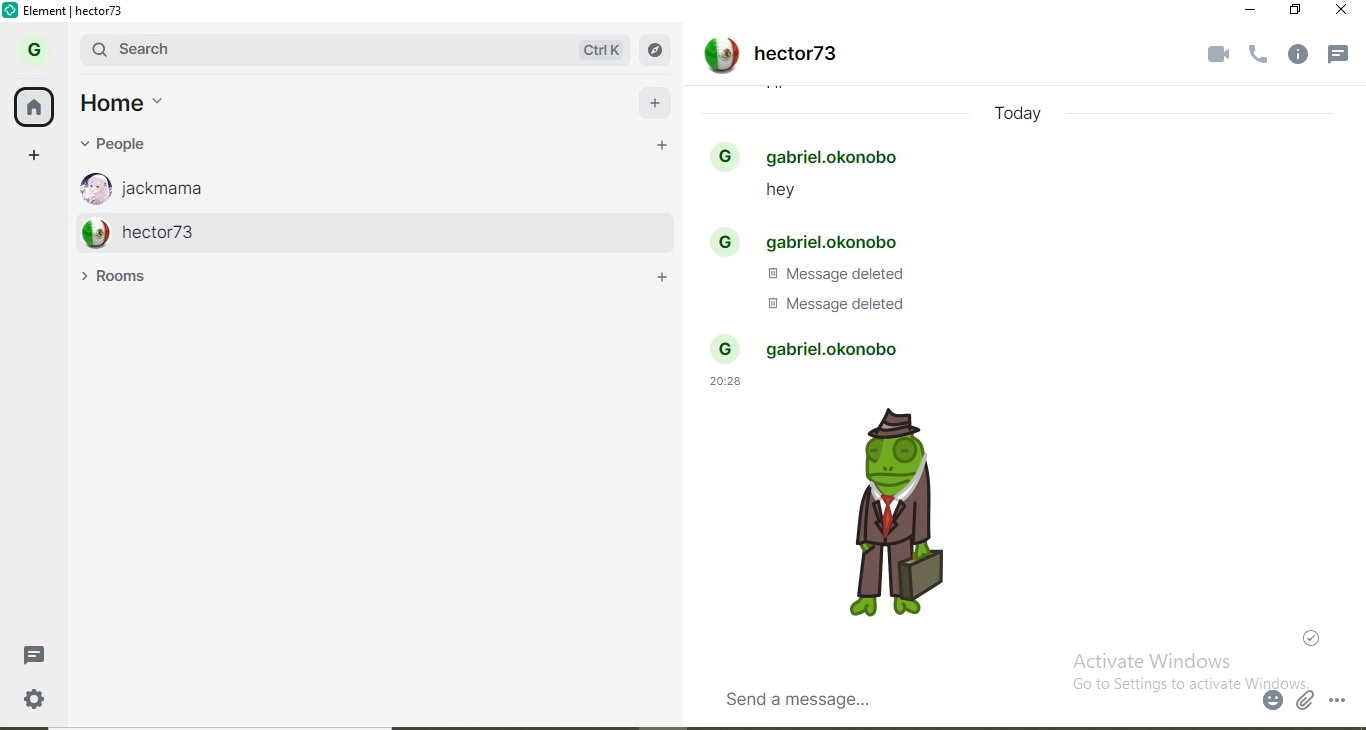 Image resolution: width=1366 pixels, height=730 pixels. I want to click on profile, so click(39, 47).